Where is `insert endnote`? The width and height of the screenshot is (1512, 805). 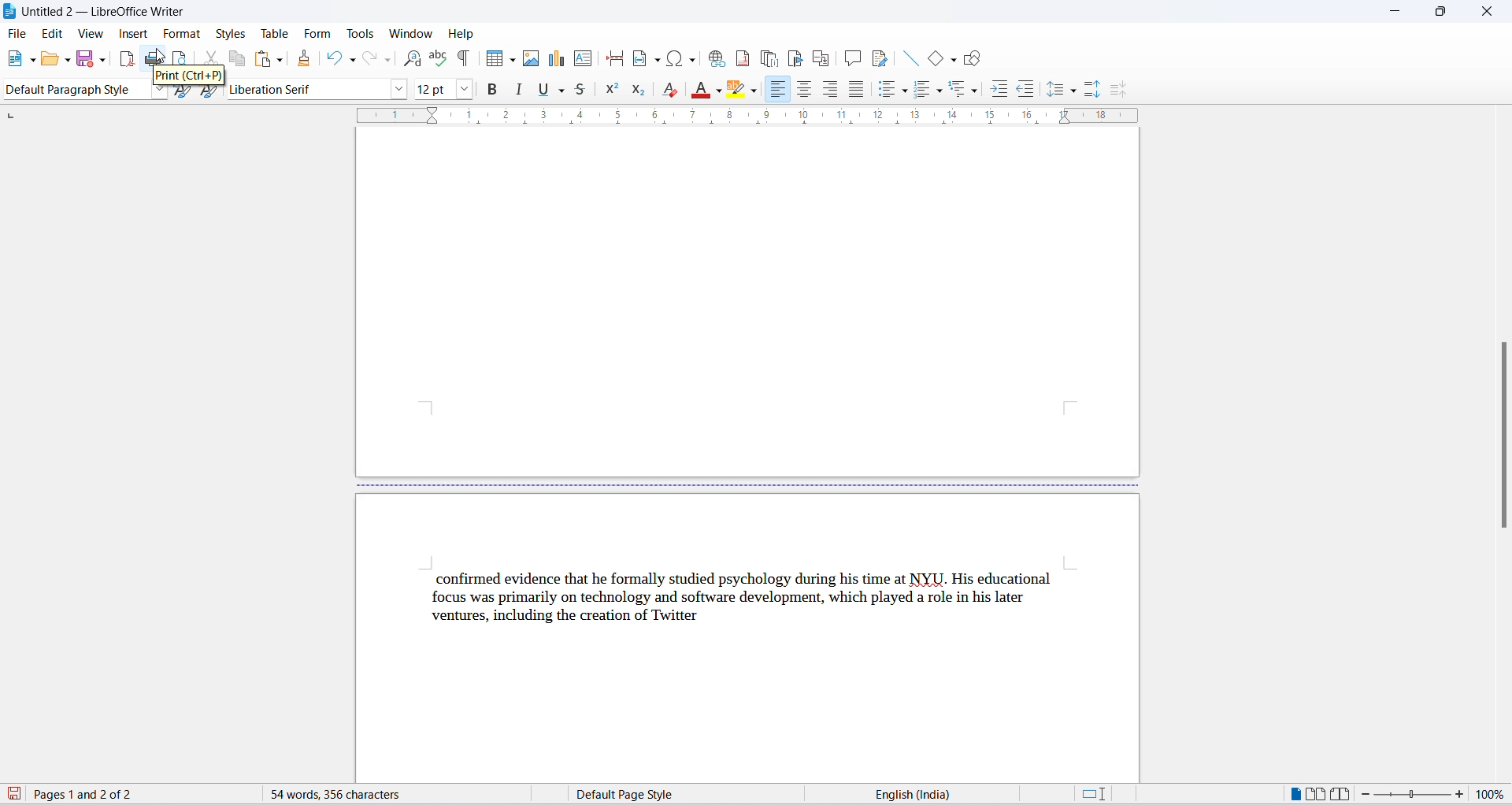
insert endnote is located at coordinates (767, 58).